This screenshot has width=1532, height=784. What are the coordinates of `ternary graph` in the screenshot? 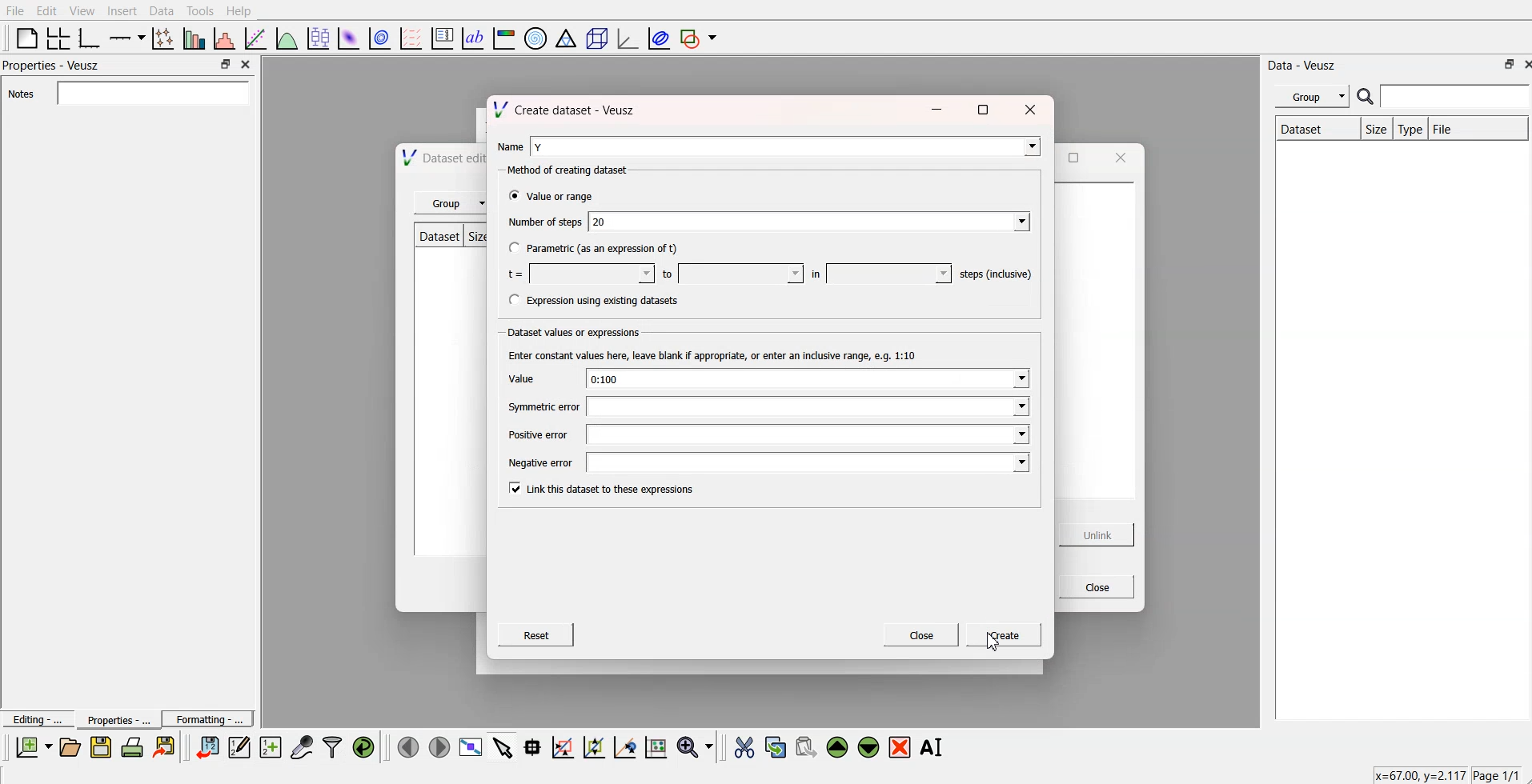 It's located at (567, 37).